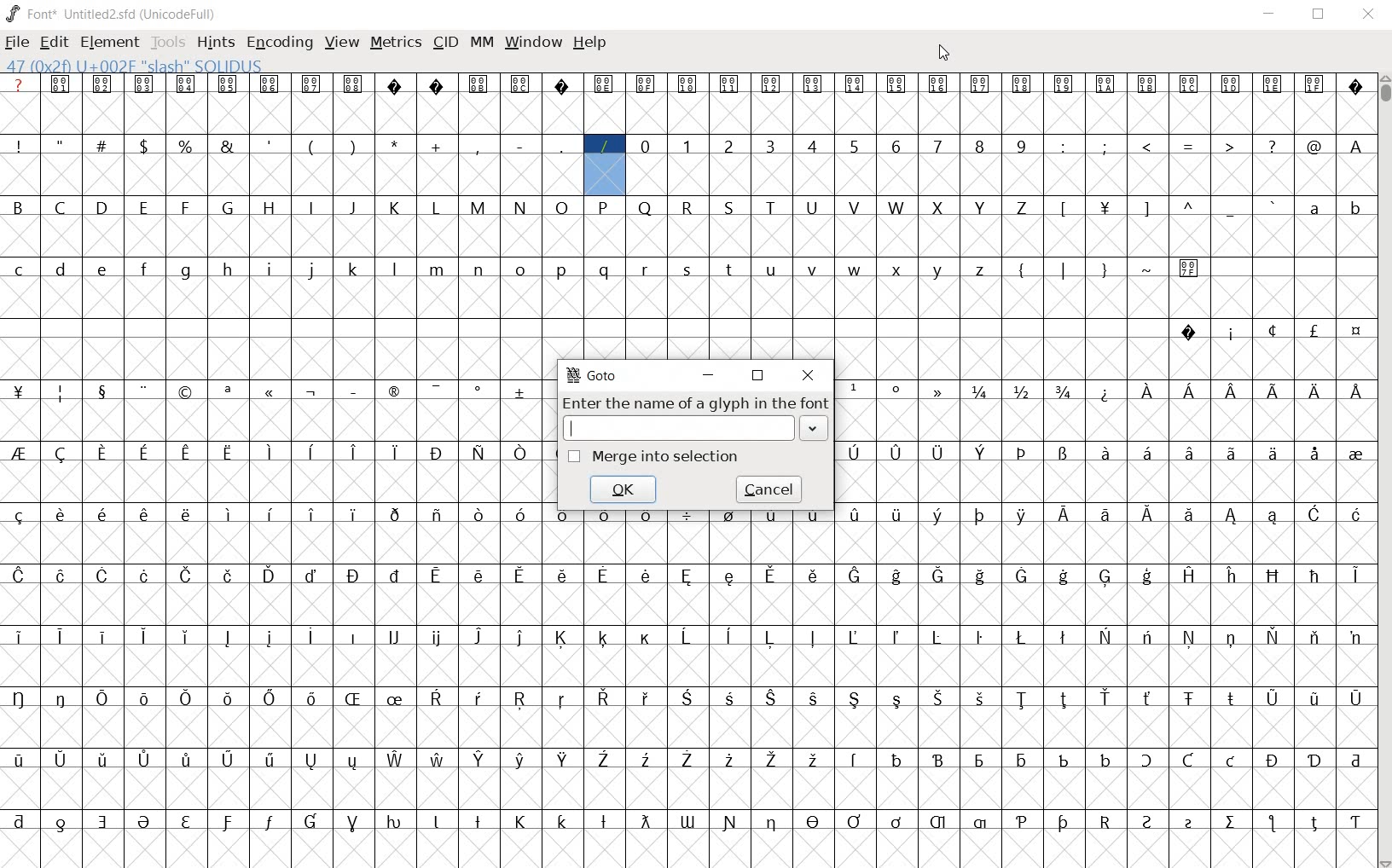  Describe the element at coordinates (395, 453) in the screenshot. I see `glyph` at that location.